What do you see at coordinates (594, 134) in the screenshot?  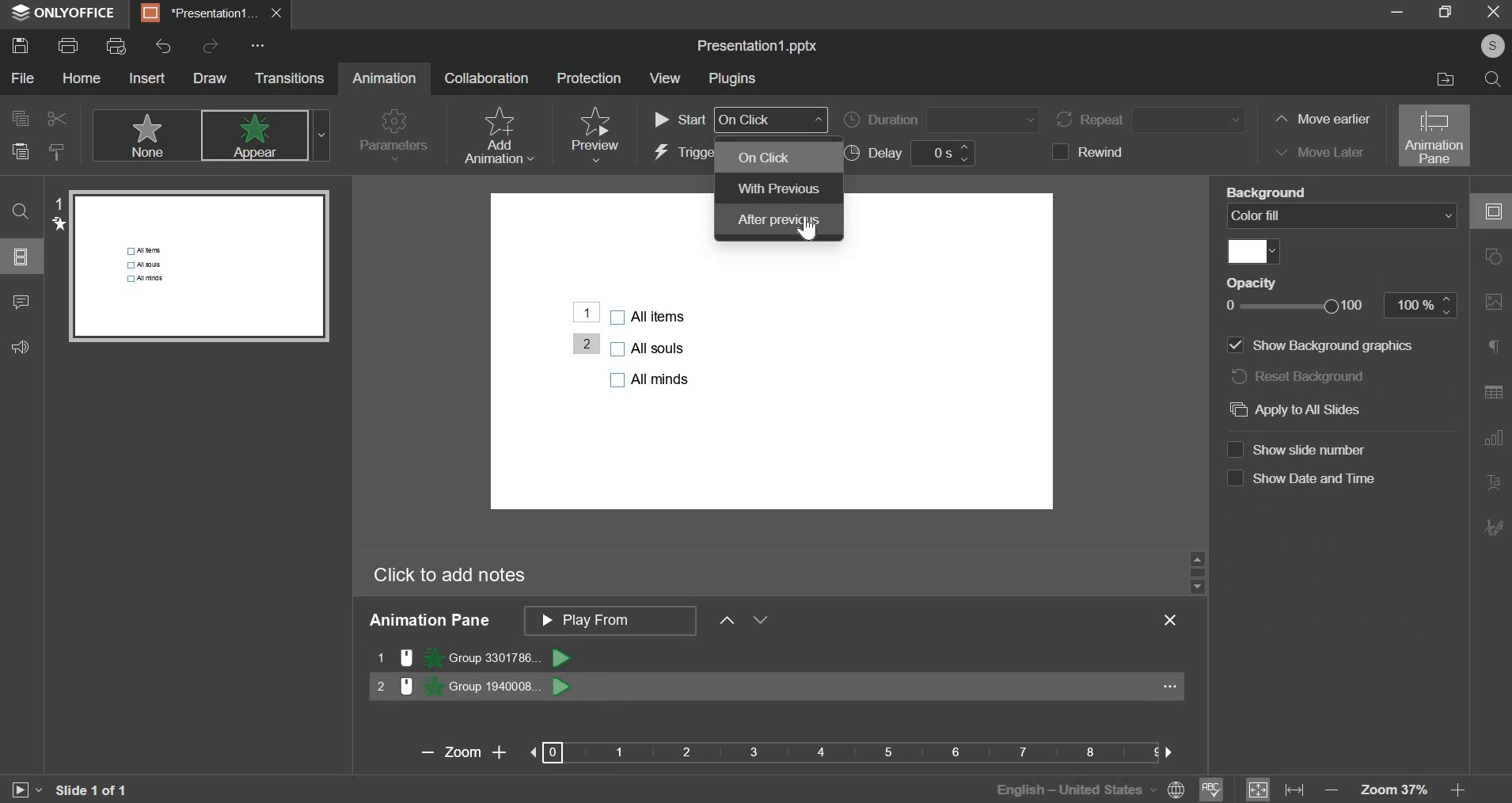 I see `preview` at bounding box center [594, 134].